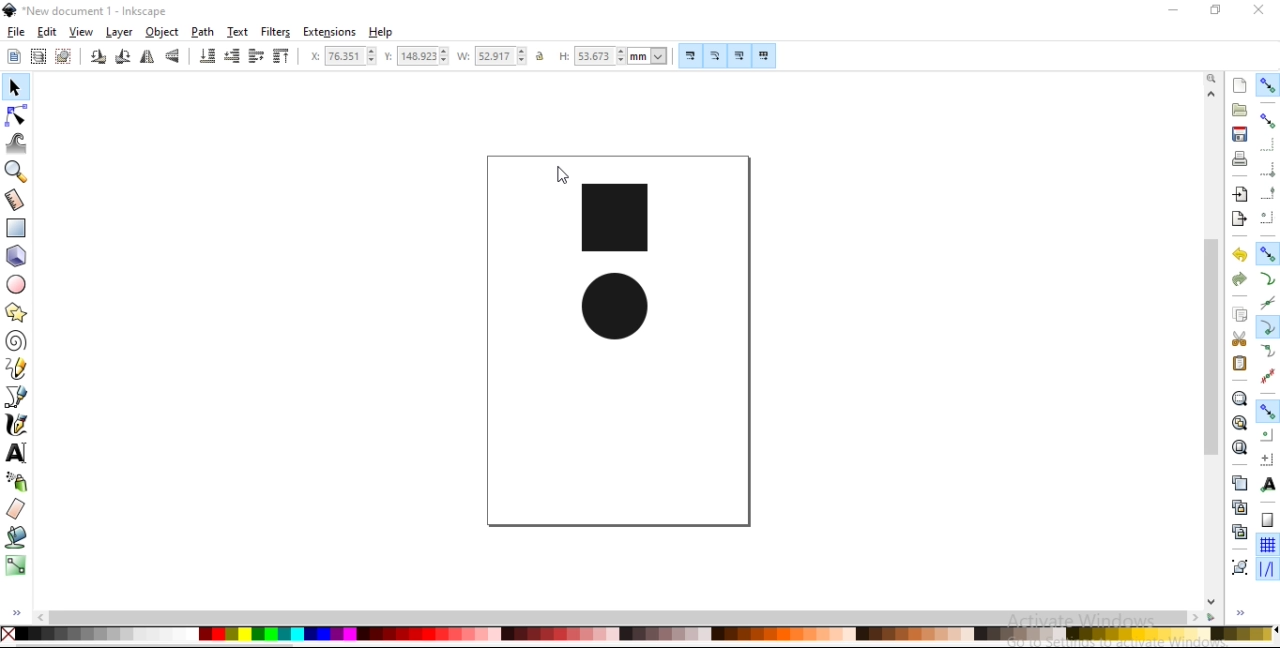 This screenshot has height=648, width=1280. Describe the element at coordinates (234, 56) in the screenshot. I see `lower selection by  one step` at that location.